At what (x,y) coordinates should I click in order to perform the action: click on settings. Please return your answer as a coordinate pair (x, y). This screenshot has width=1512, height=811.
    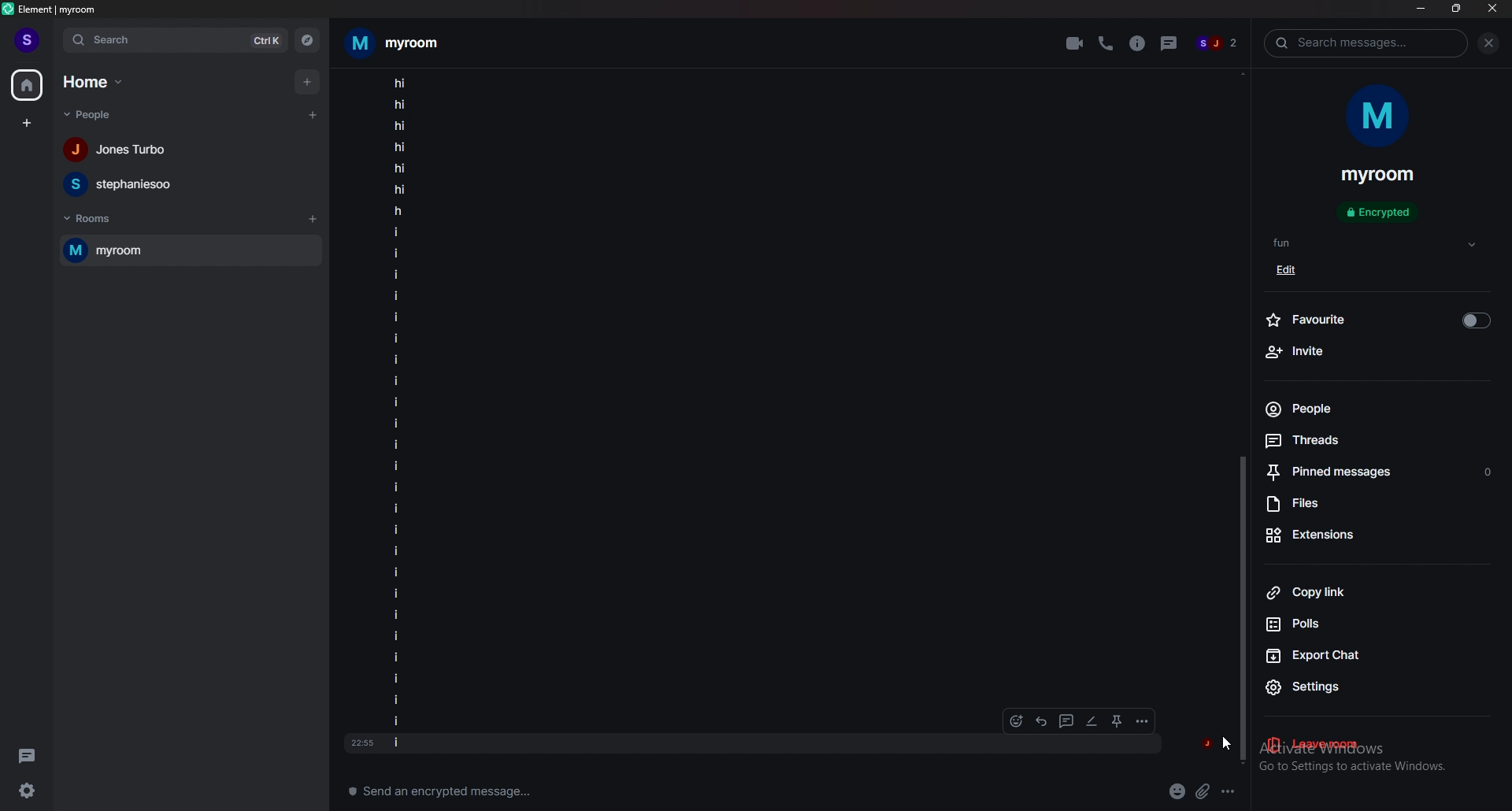
    Looking at the image, I should click on (28, 791).